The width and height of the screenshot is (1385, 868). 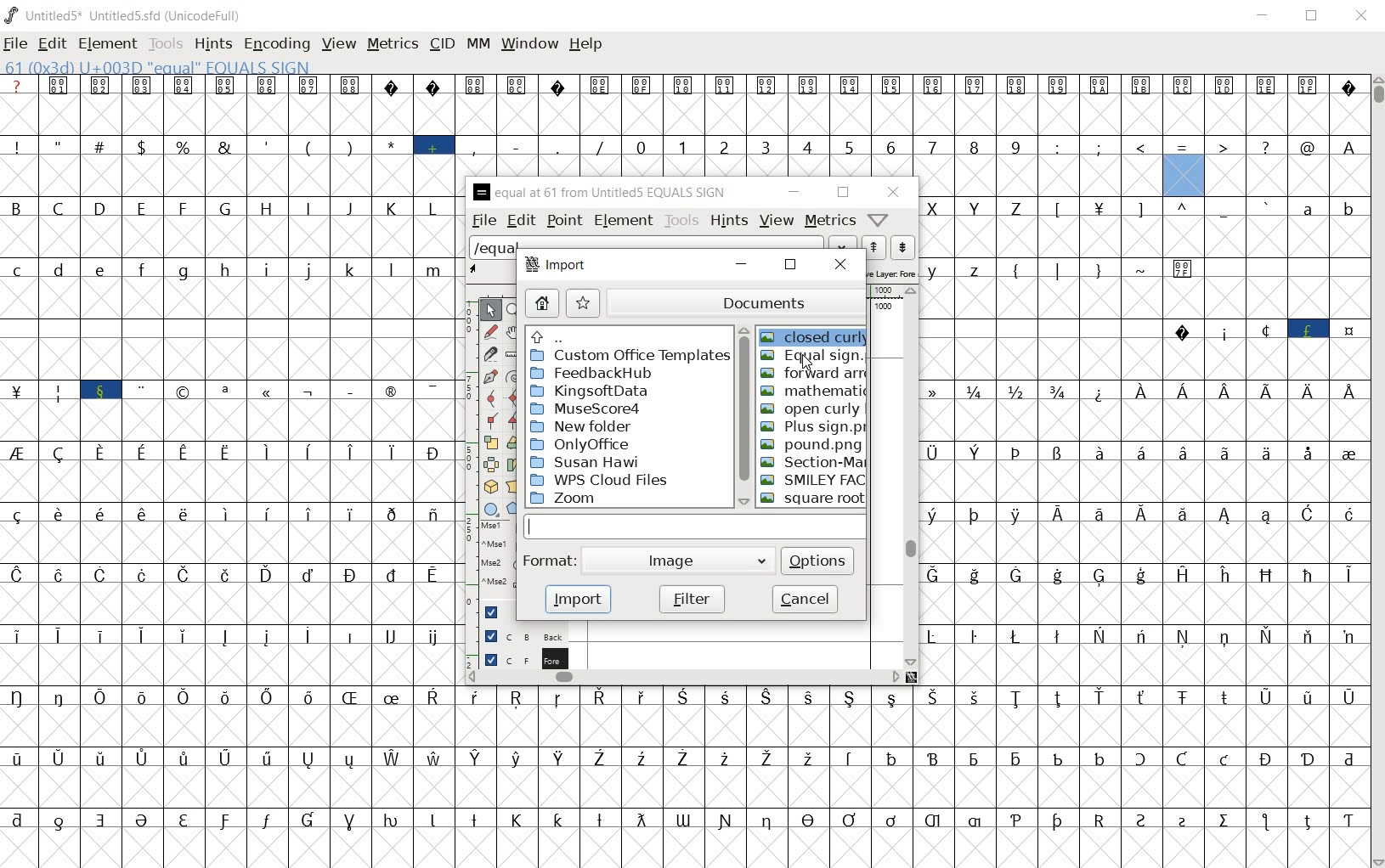 I want to click on load word list, so click(x=662, y=246).